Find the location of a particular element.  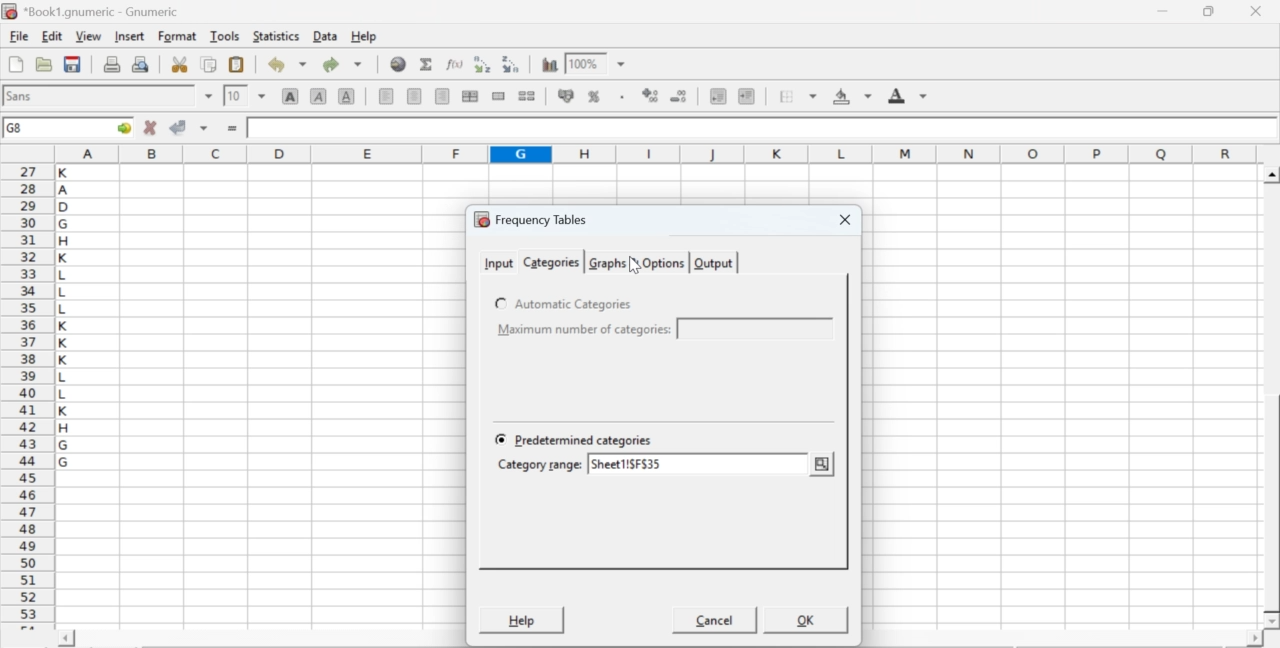

save current workbook is located at coordinates (73, 64).